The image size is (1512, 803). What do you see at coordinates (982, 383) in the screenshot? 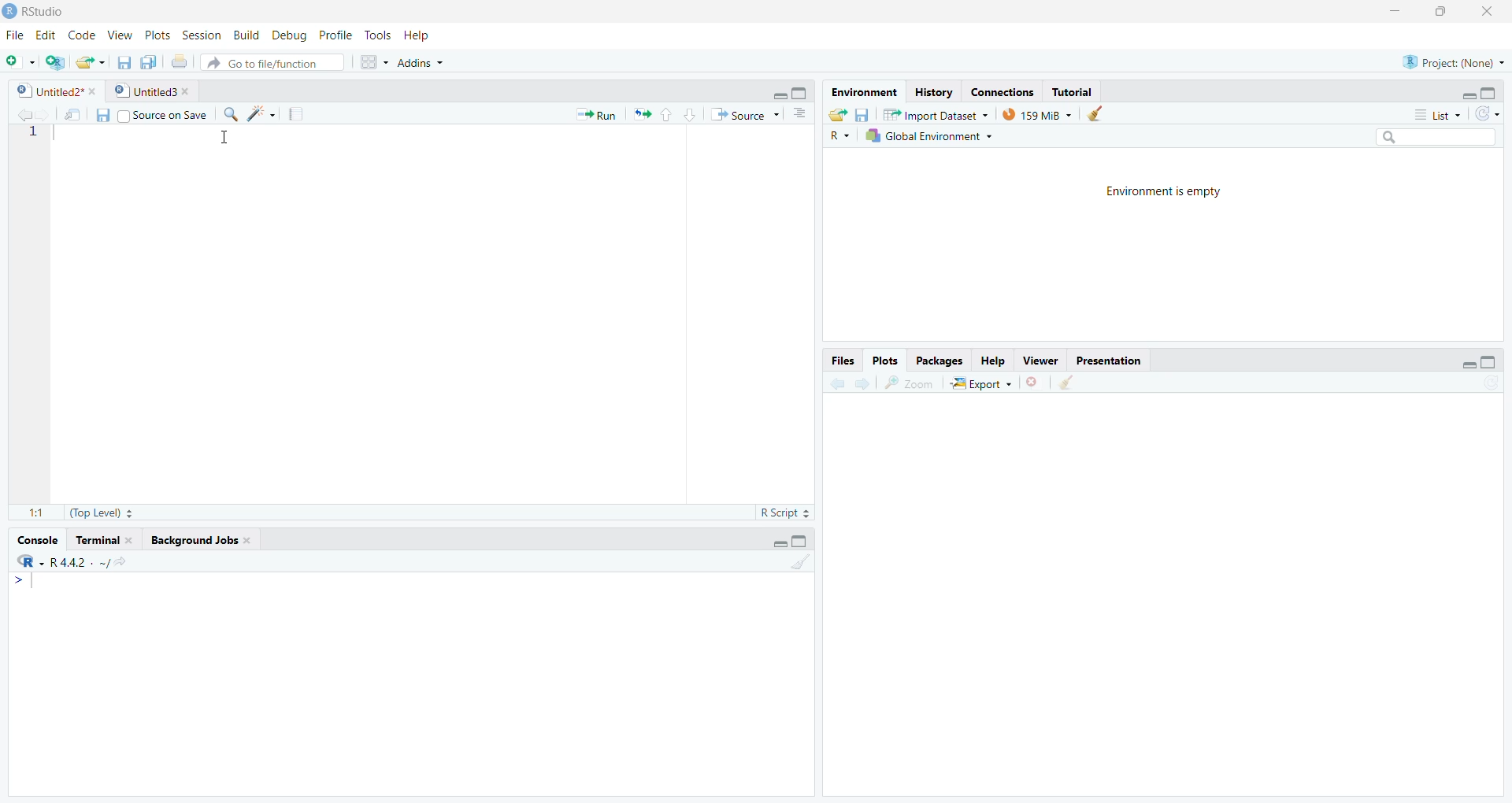
I see `Export` at bounding box center [982, 383].